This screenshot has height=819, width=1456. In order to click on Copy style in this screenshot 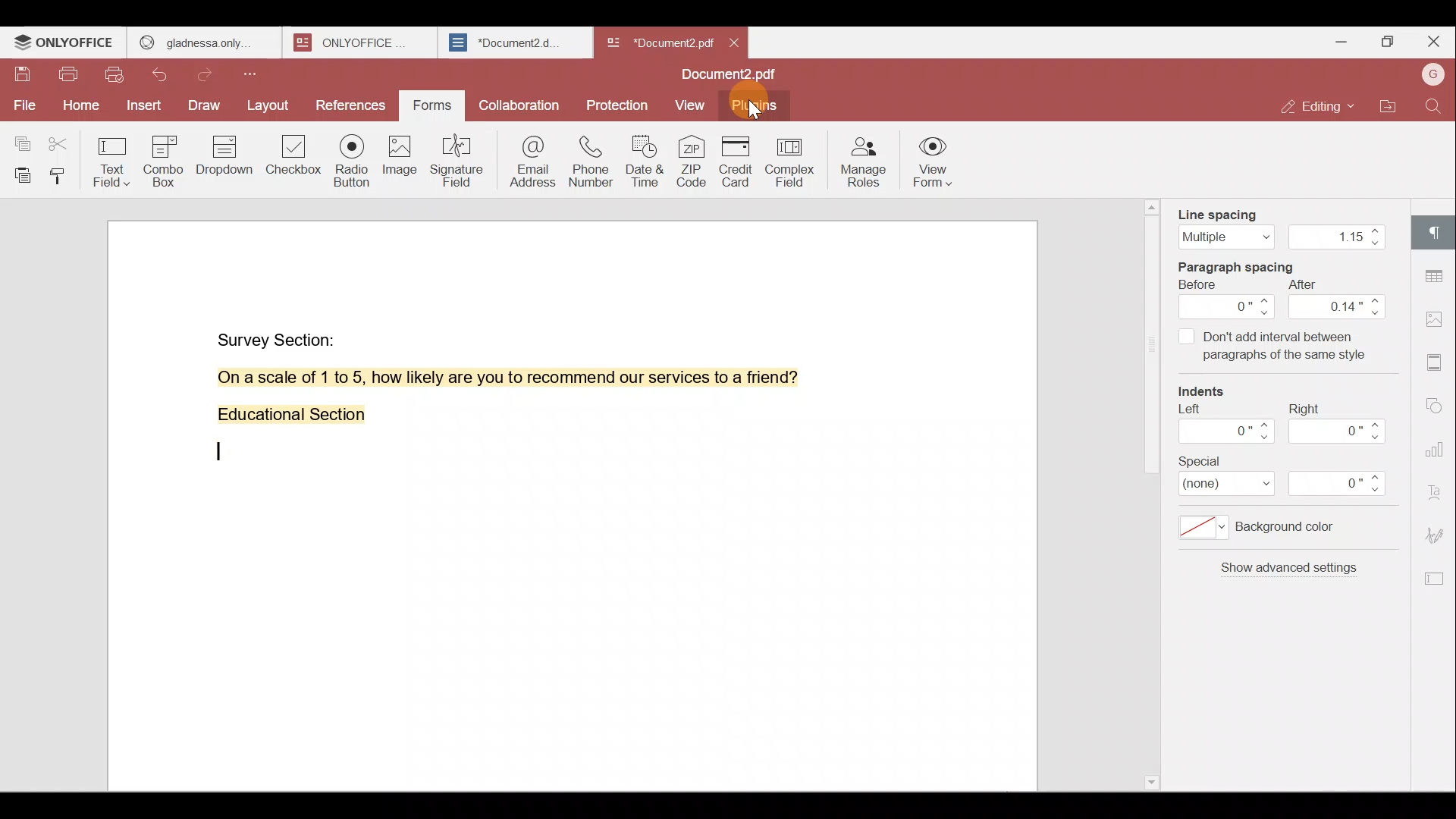, I will do `click(61, 175)`.